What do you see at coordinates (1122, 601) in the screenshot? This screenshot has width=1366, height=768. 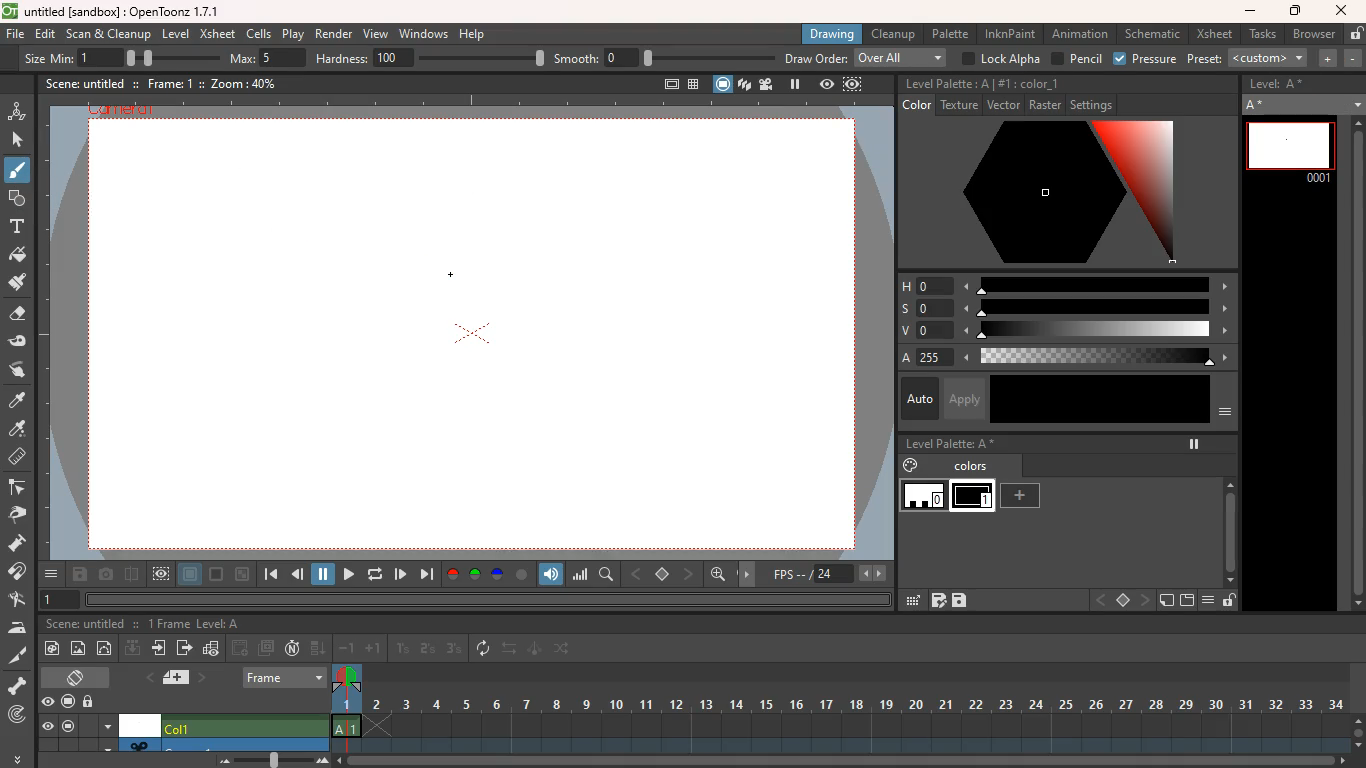 I see `stop` at bounding box center [1122, 601].